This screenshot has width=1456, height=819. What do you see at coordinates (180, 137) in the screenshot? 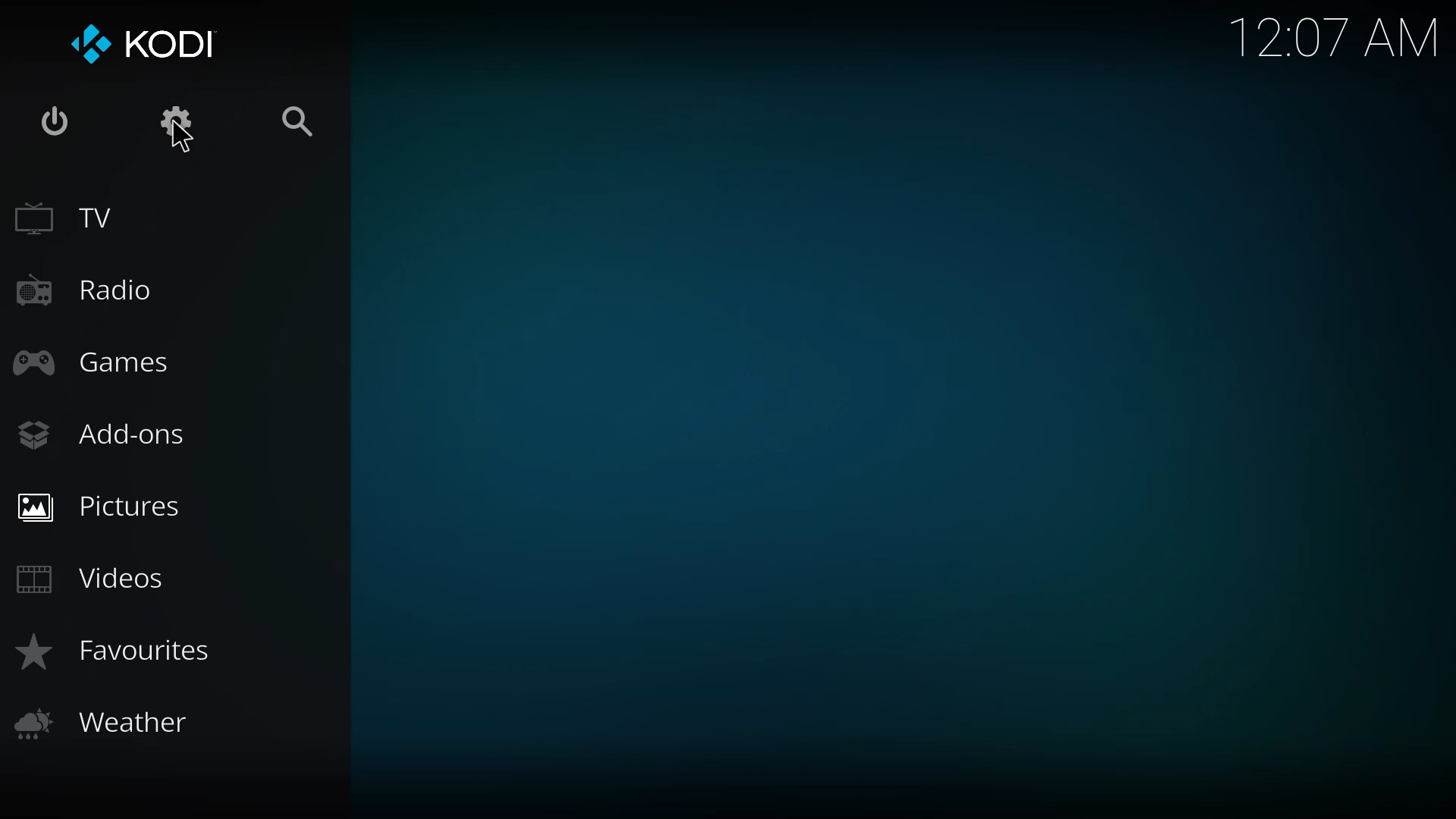
I see `cursor` at bounding box center [180, 137].